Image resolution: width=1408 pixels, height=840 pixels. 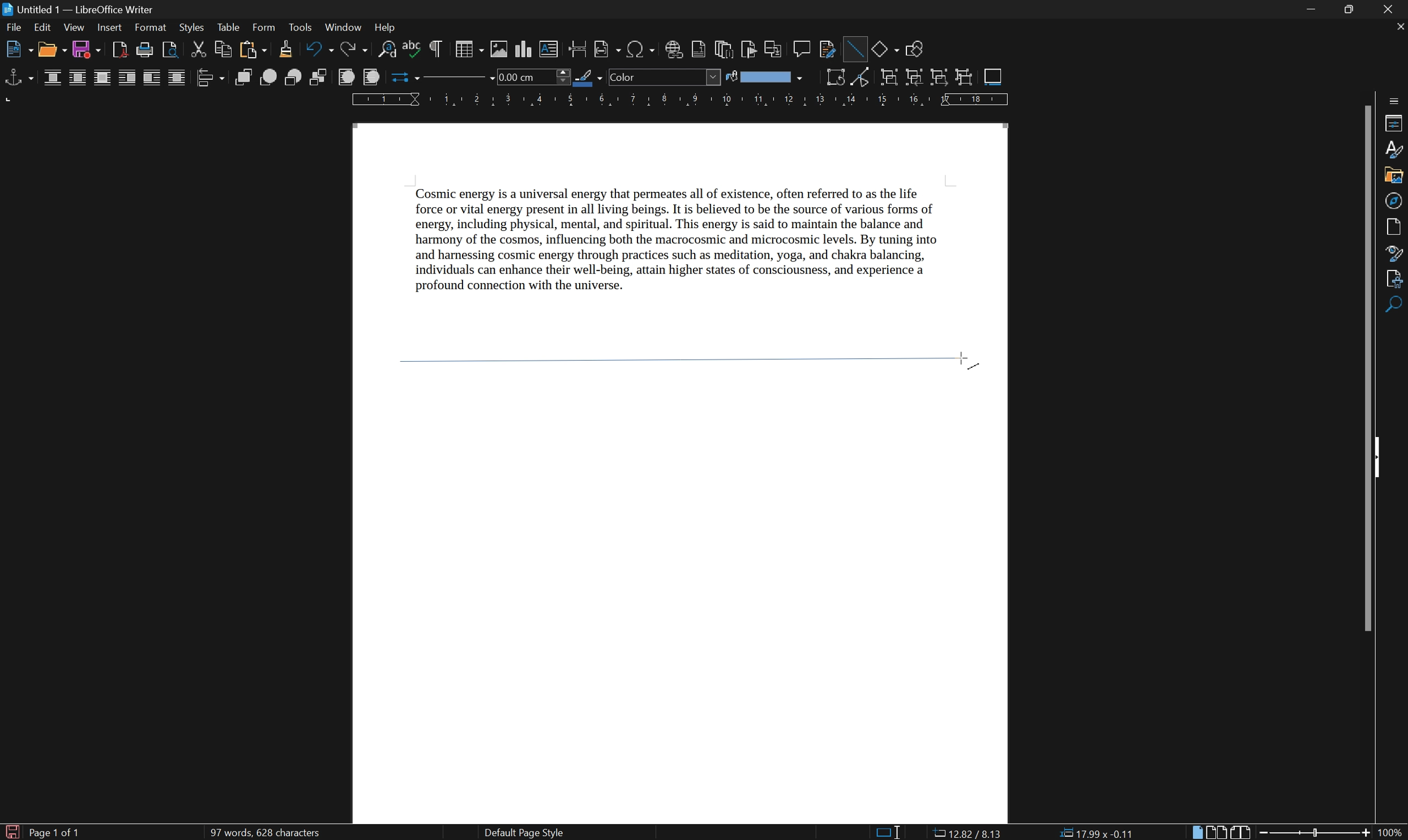 I want to click on navigator, so click(x=1393, y=201).